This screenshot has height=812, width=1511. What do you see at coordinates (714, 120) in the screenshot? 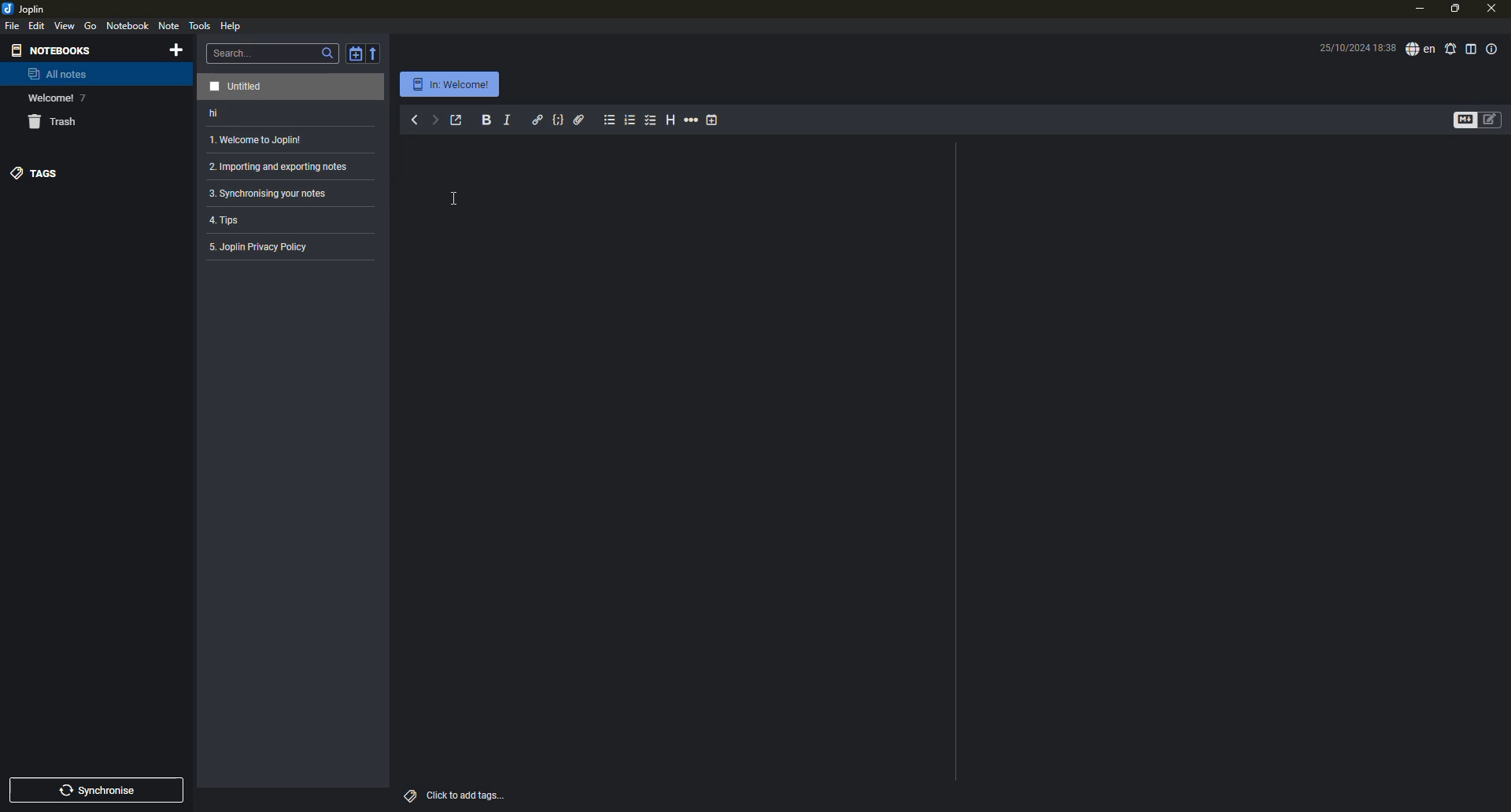
I see `insert time` at bounding box center [714, 120].